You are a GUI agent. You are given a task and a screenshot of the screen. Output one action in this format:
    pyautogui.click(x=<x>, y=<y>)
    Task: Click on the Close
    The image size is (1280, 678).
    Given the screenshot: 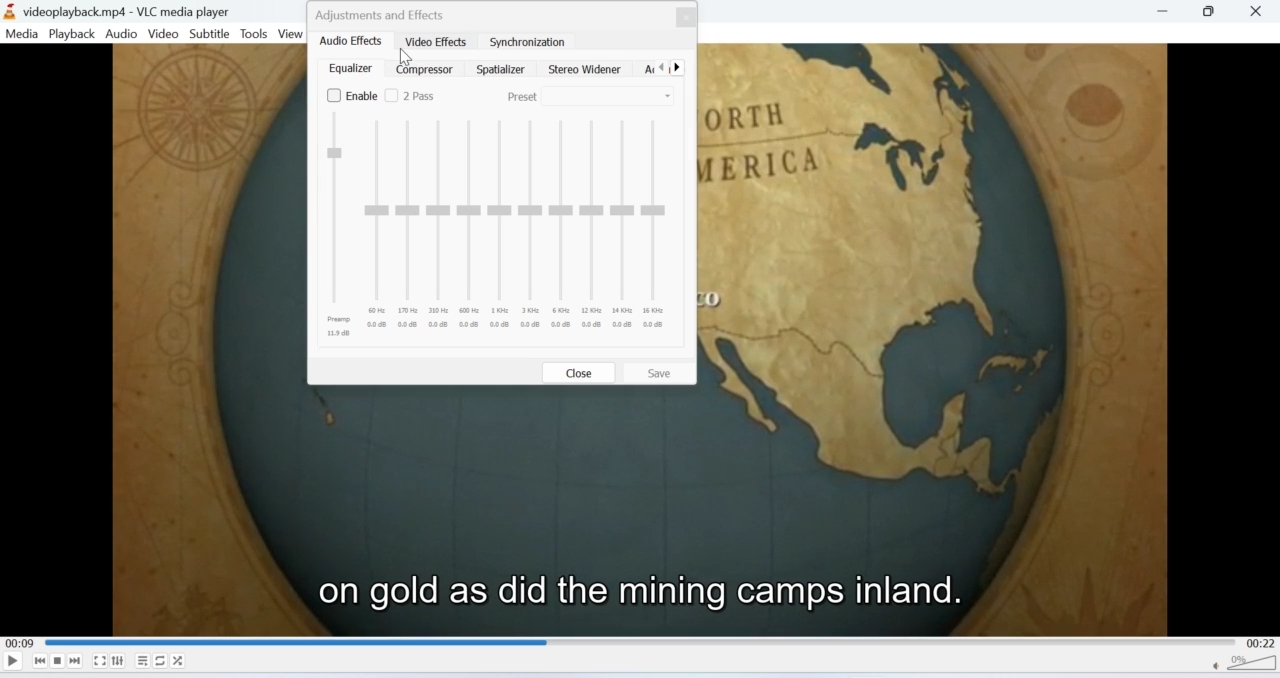 What is the action you would take?
    pyautogui.click(x=1257, y=12)
    